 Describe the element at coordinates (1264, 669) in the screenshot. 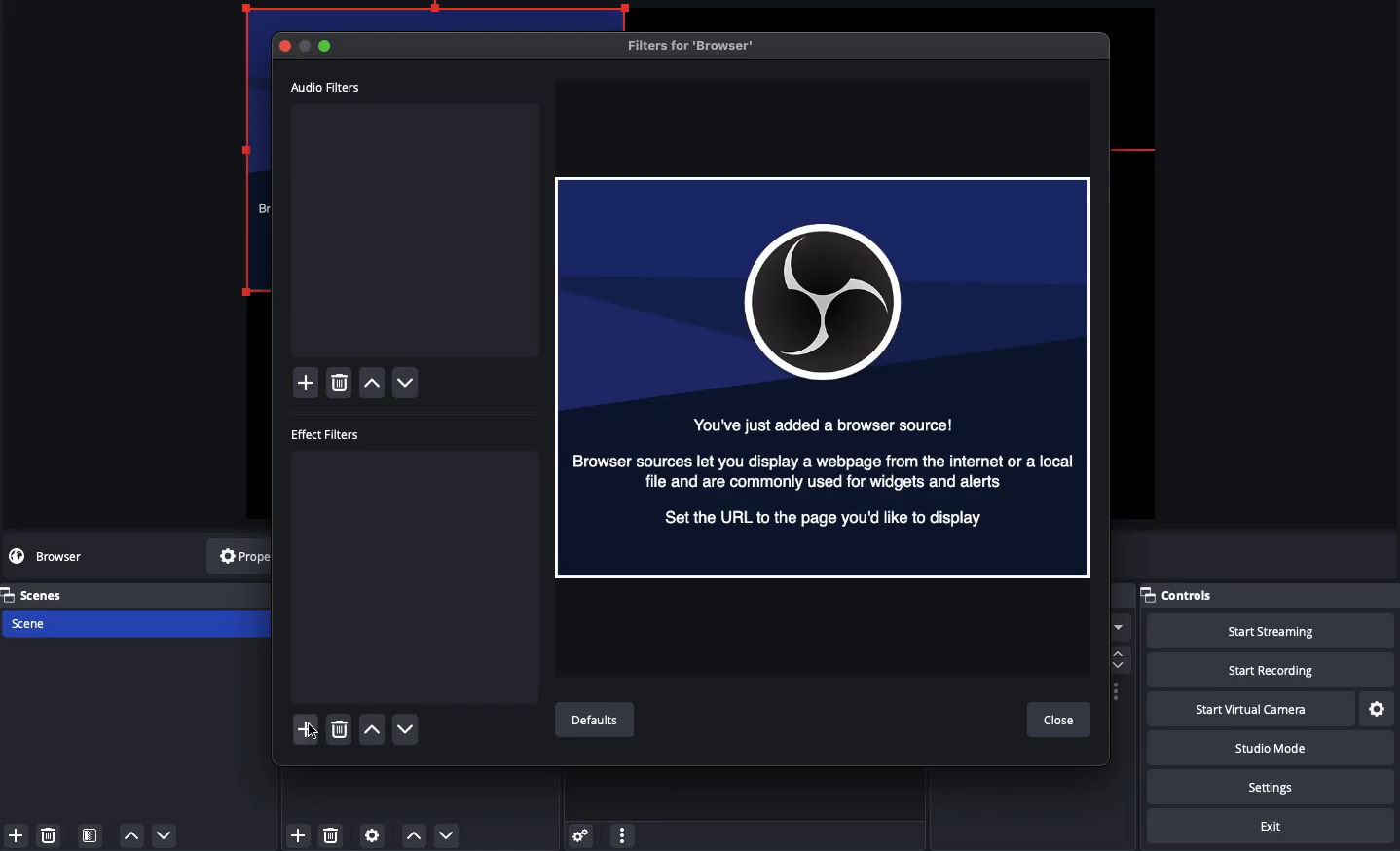

I see `Start recording` at that location.